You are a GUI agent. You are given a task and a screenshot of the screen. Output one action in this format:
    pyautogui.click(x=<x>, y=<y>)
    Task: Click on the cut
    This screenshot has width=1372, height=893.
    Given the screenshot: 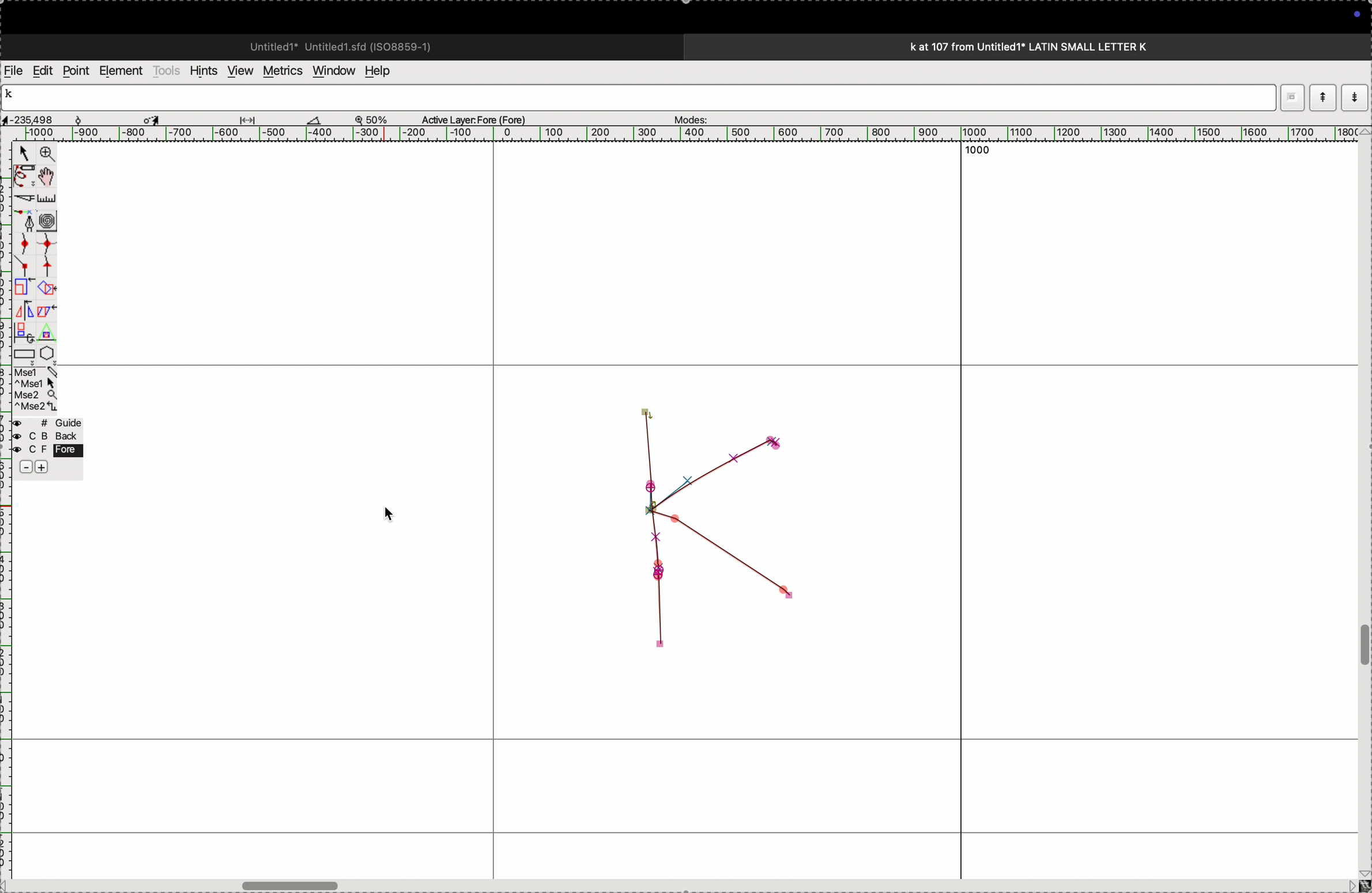 What is the action you would take?
    pyautogui.click(x=314, y=119)
    